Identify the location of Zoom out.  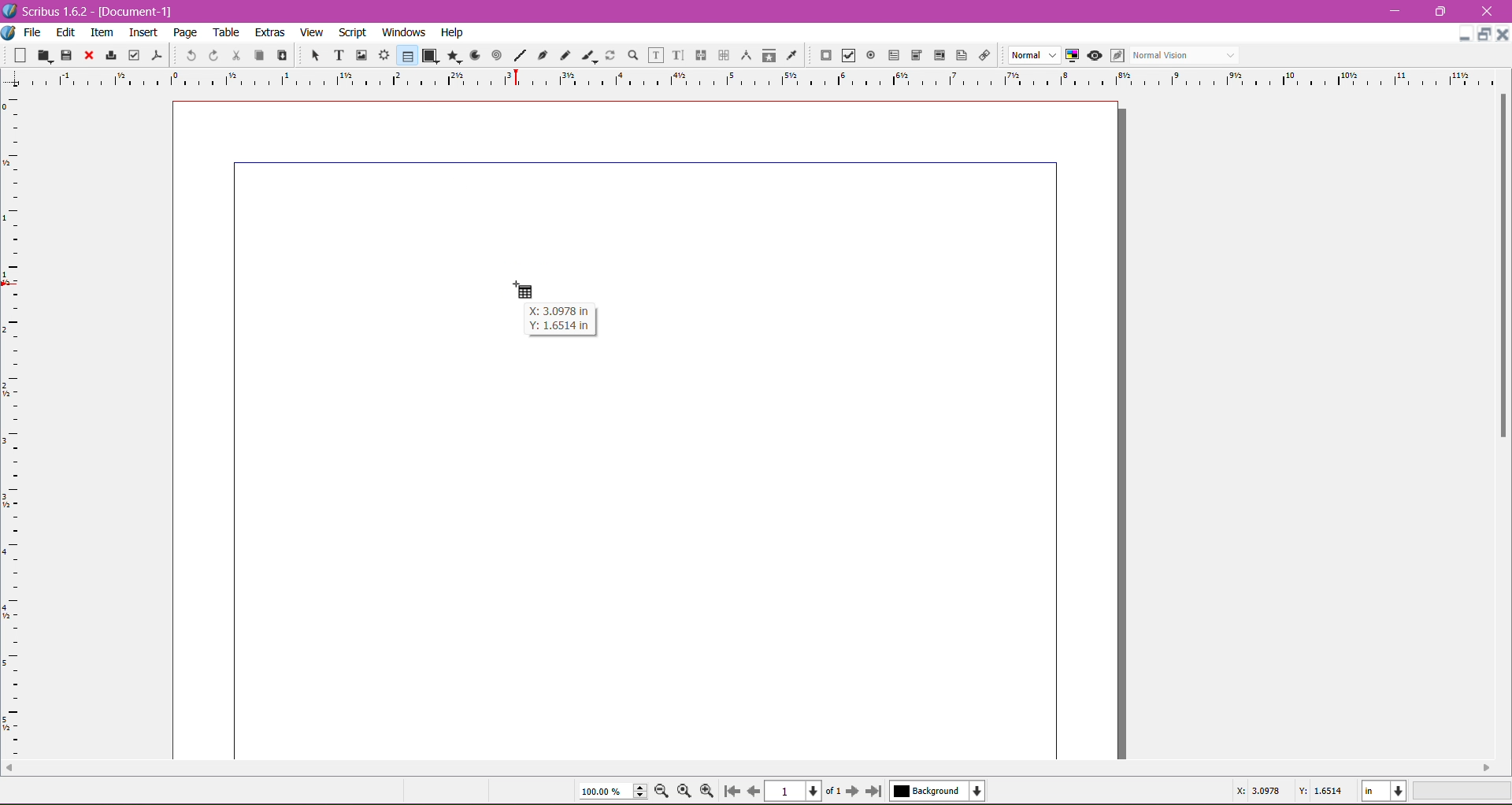
(665, 790).